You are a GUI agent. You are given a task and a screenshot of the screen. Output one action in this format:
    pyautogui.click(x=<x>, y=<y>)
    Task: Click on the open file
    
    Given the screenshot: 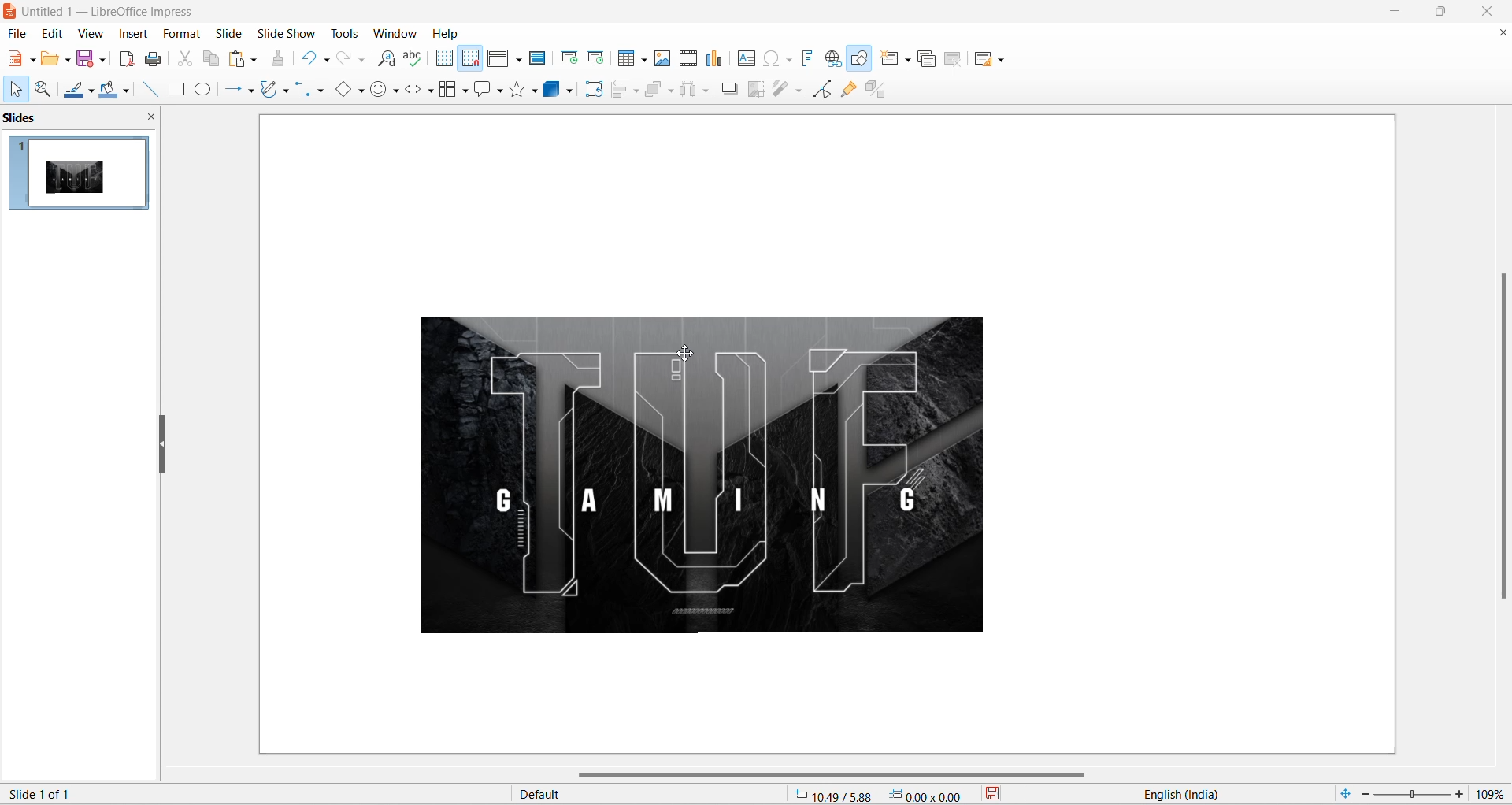 What is the action you would take?
    pyautogui.click(x=50, y=61)
    